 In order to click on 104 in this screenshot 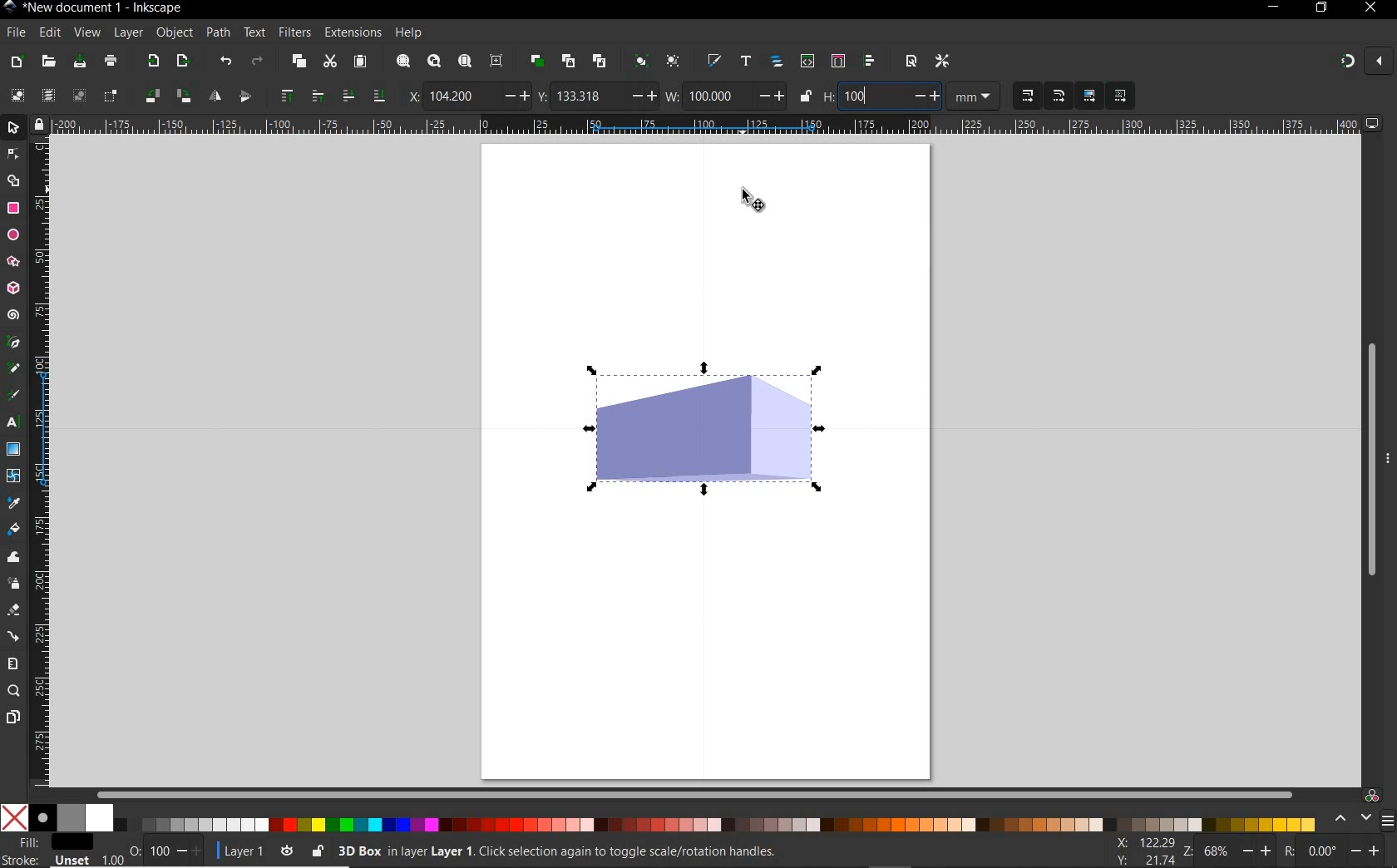, I will do `click(462, 96)`.